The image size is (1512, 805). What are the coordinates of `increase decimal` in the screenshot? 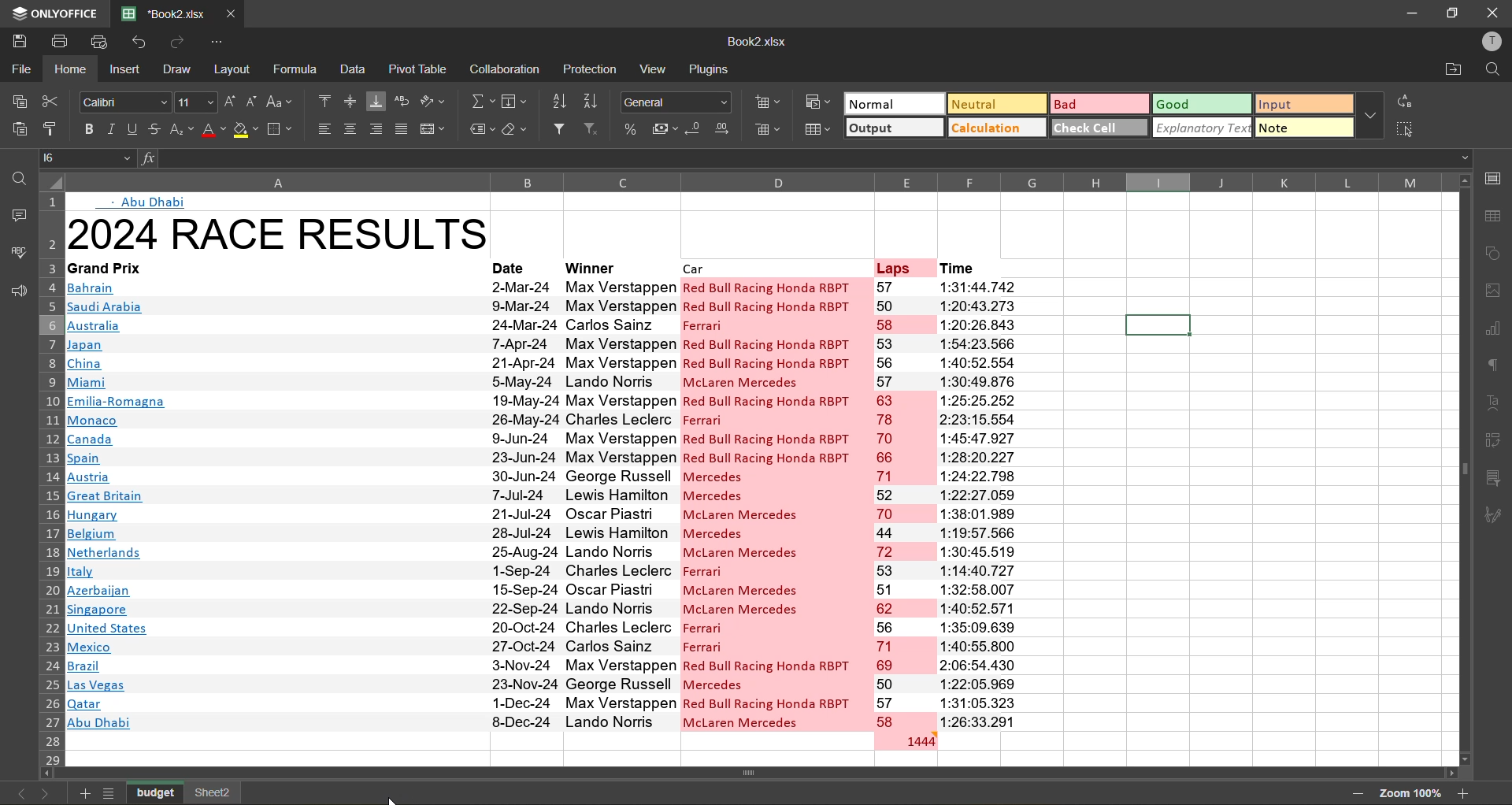 It's located at (726, 129).